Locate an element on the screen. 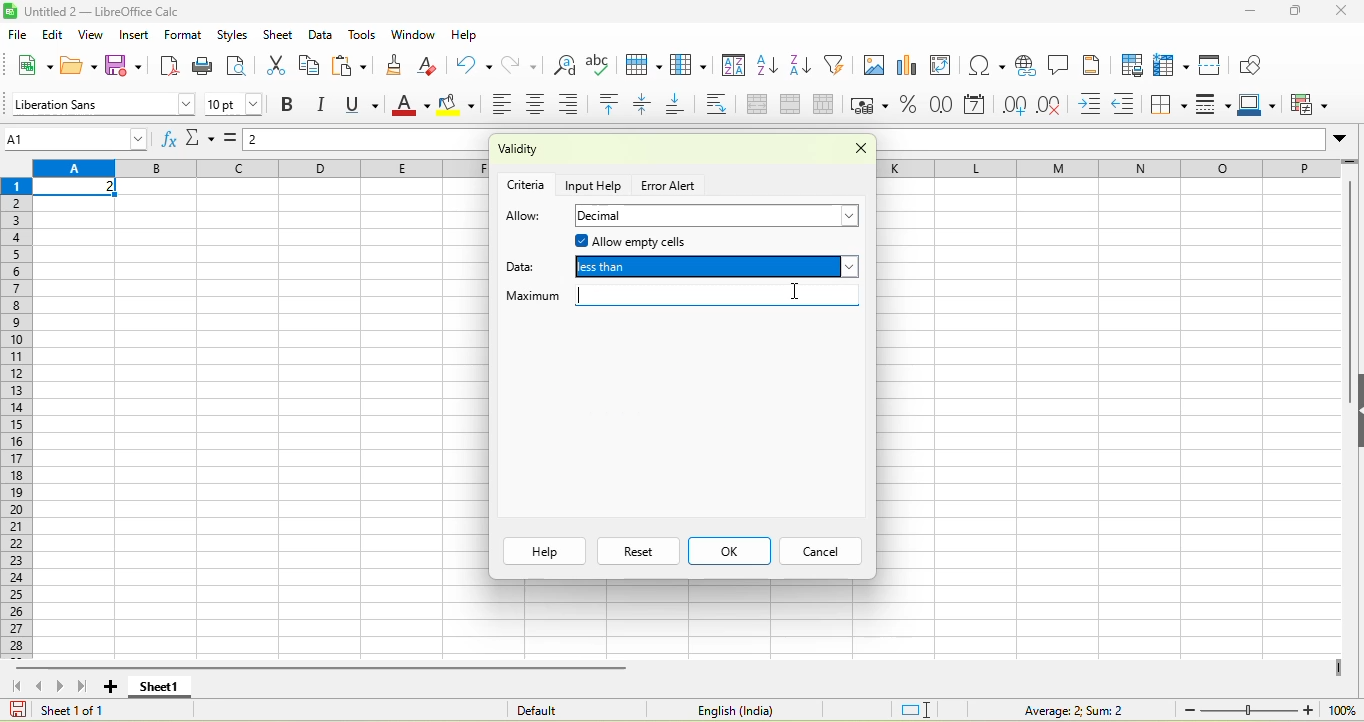  close is located at coordinates (1344, 10).